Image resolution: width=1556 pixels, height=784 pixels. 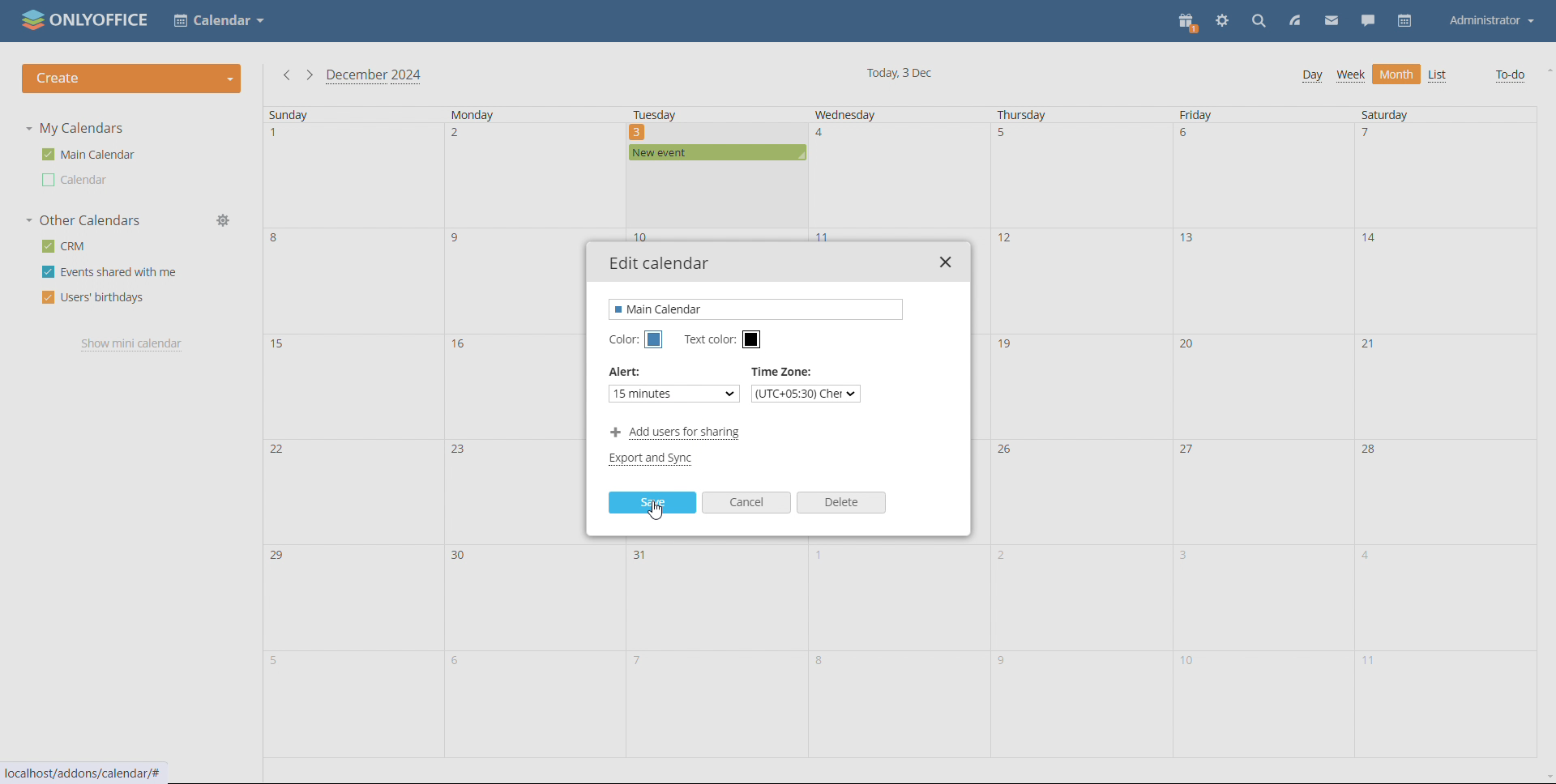 What do you see at coordinates (1396, 75) in the screenshot?
I see `month view` at bounding box center [1396, 75].